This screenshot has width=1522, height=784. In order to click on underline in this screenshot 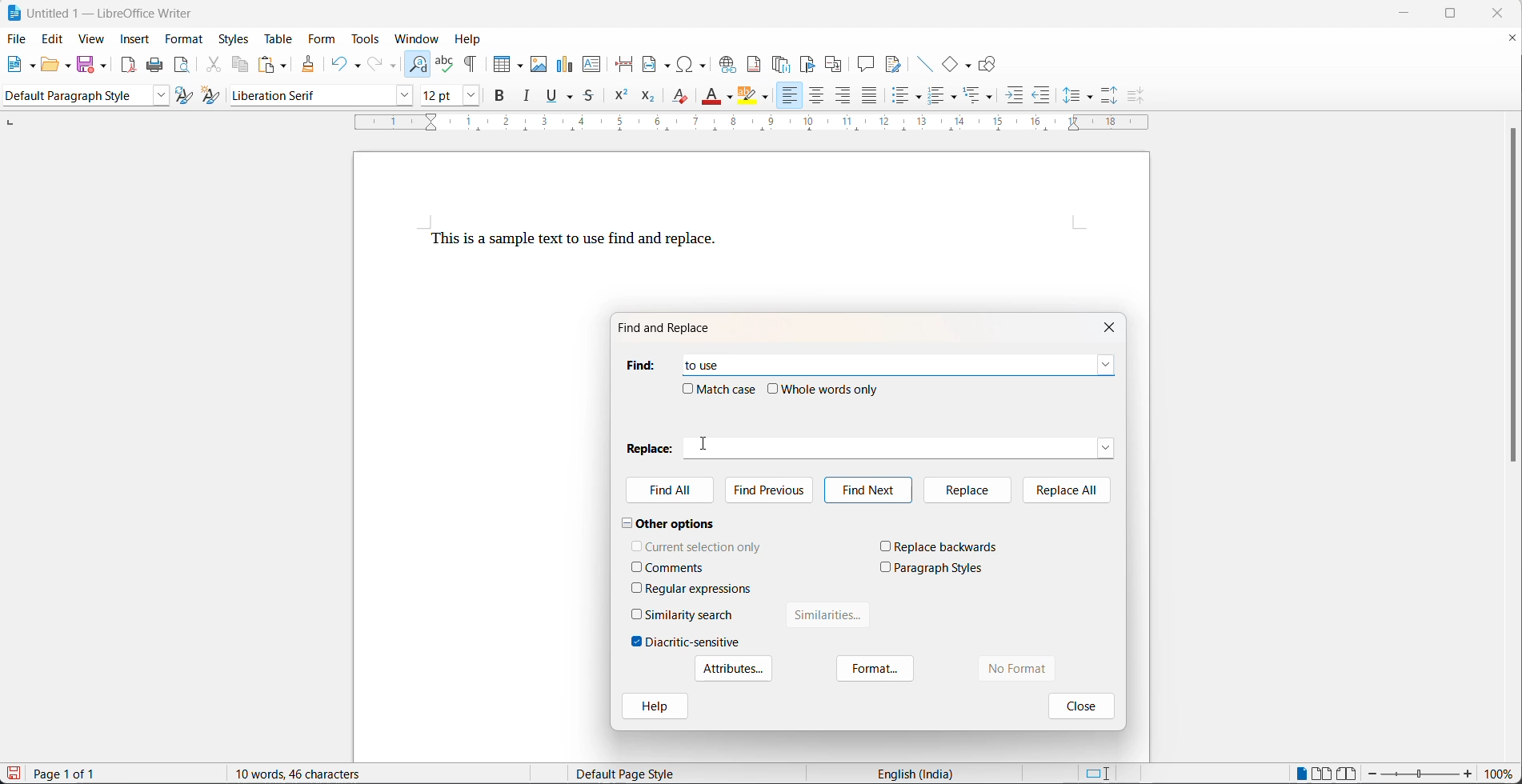, I will do `click(551, 98)`.